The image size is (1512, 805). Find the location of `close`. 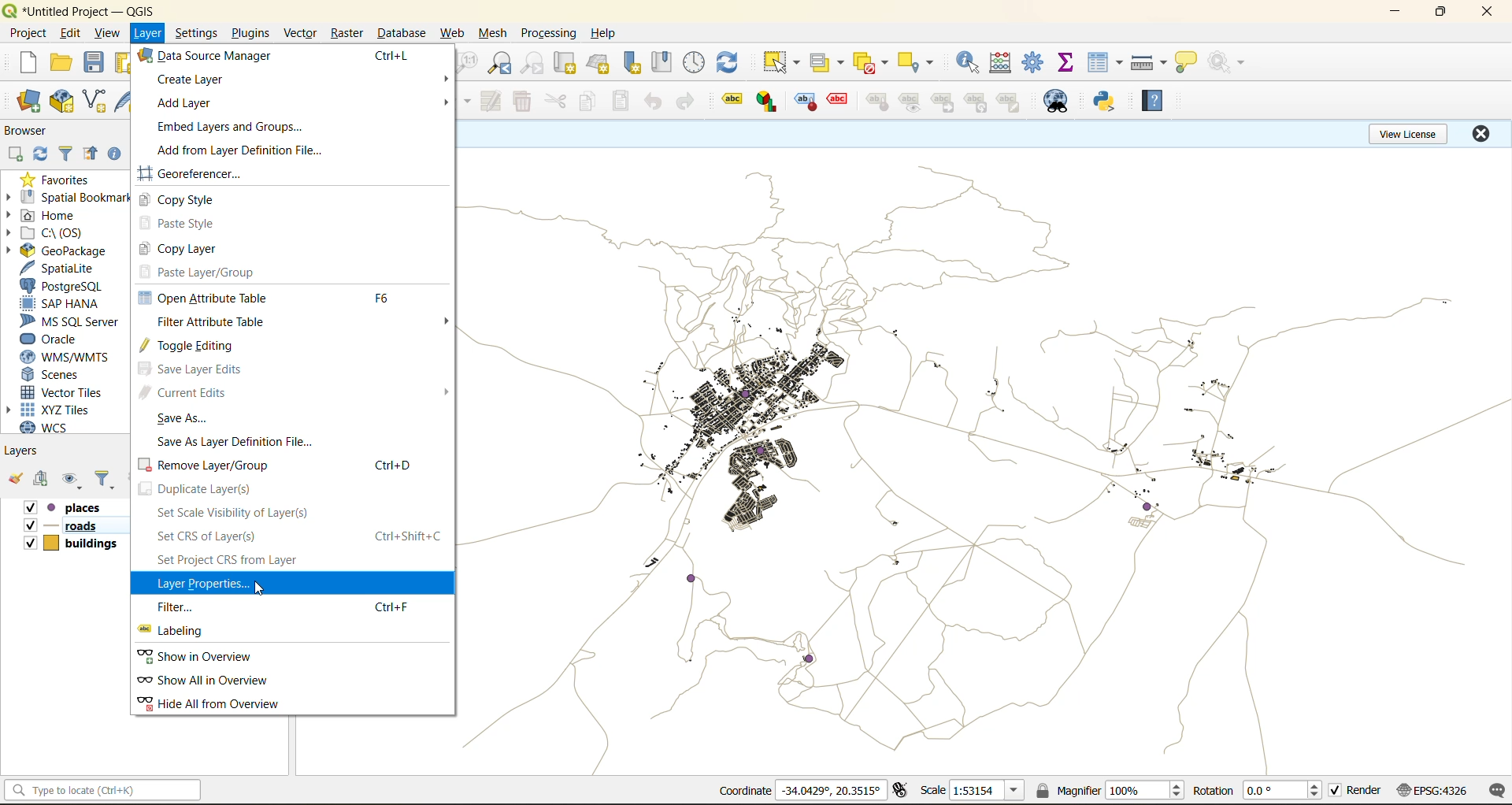

close is located at coordinates (1483, 13).